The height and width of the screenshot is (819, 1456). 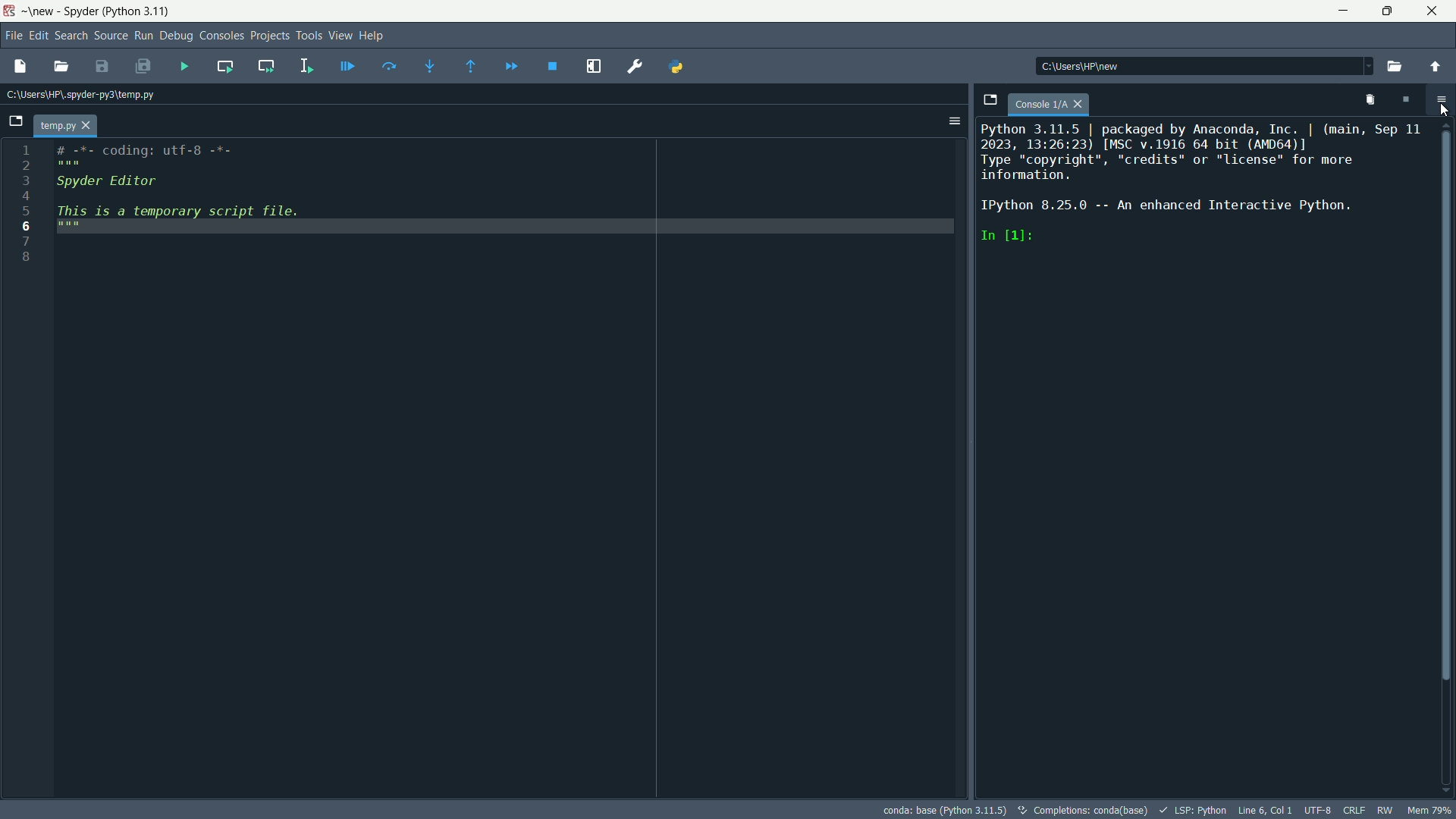 I want to click on C:\Users\HP\spyder-py3\temp.py, so click(x=91, y=95).